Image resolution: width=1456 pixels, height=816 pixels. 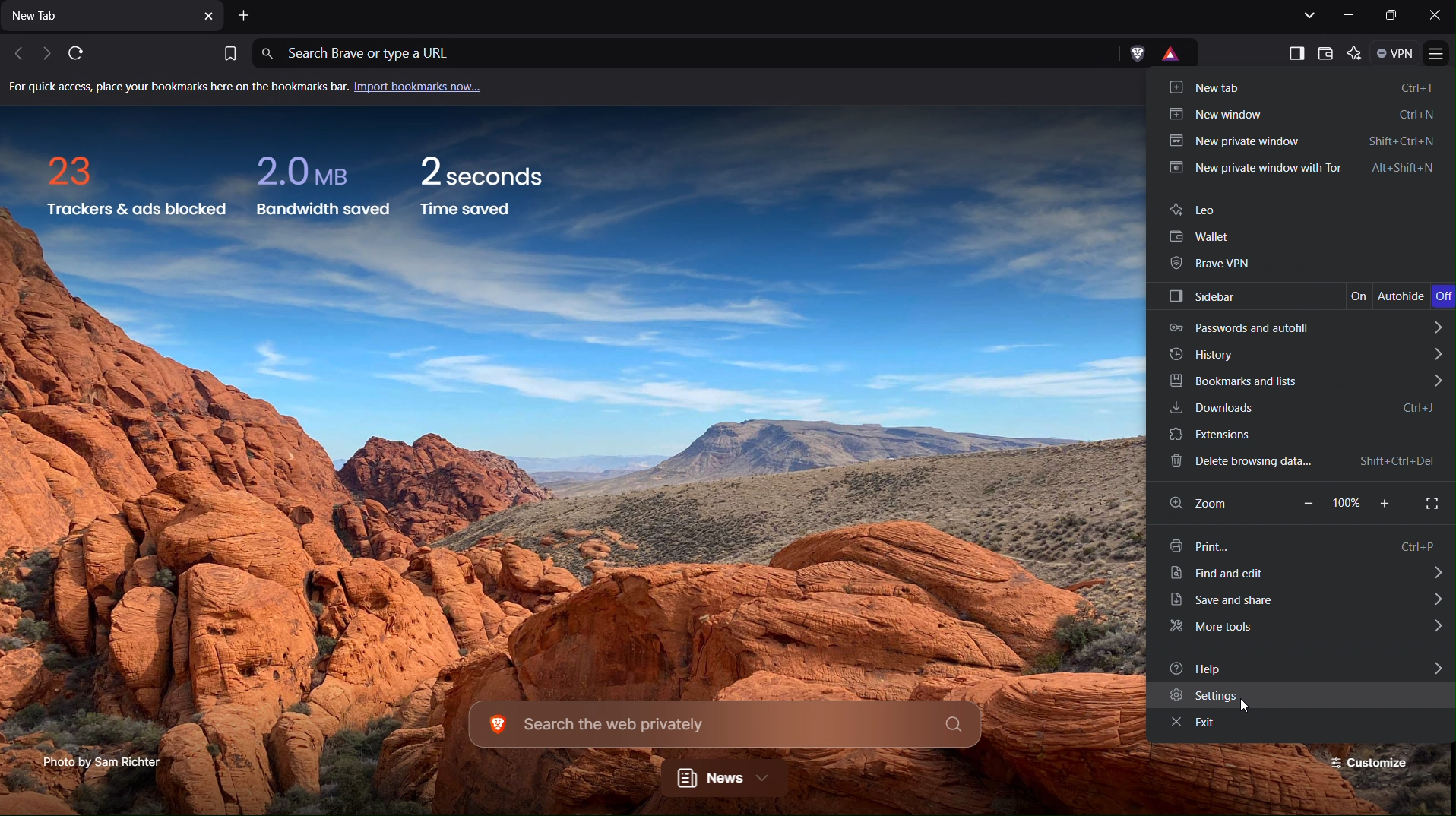 What do you see at coordinates (1299, 666) in the screenshot?
I see `Help` at bounding box center [1299, 666].